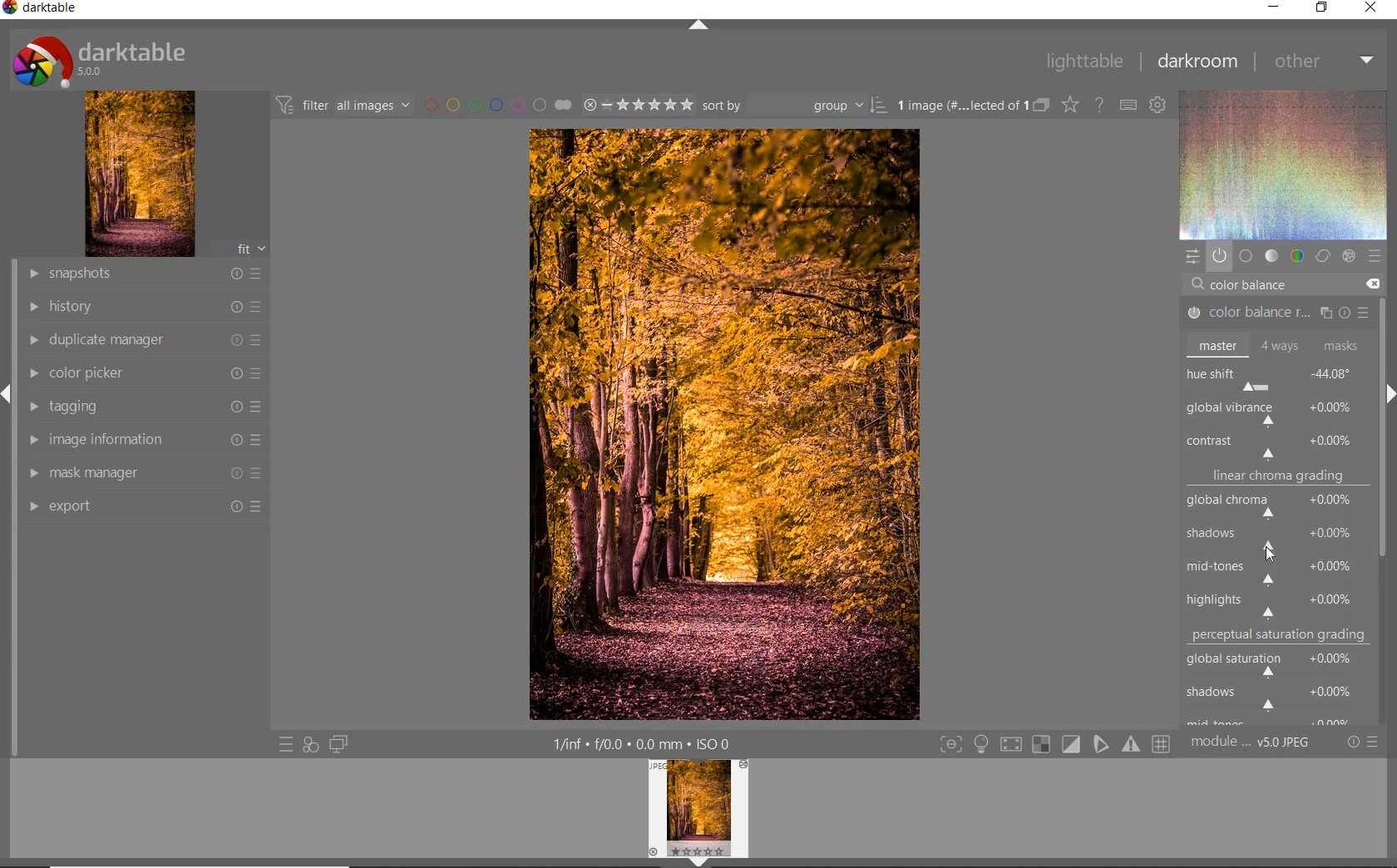  What do you see at coordinates (1250, 744) in the screenshot?
I see `module order` at bounding box center [1250, 744].